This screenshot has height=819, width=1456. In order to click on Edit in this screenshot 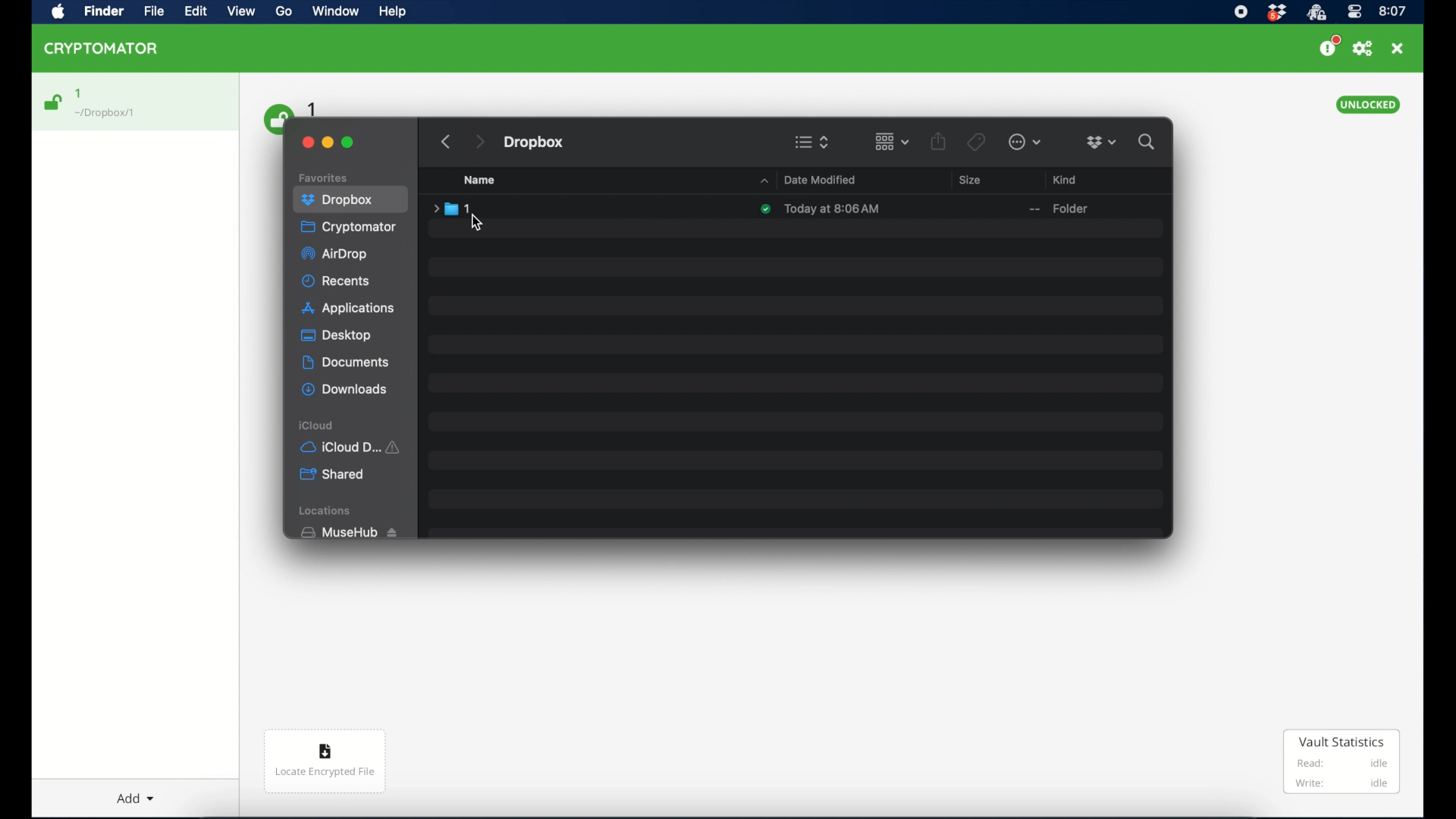, I will do `click(197, 12)`.